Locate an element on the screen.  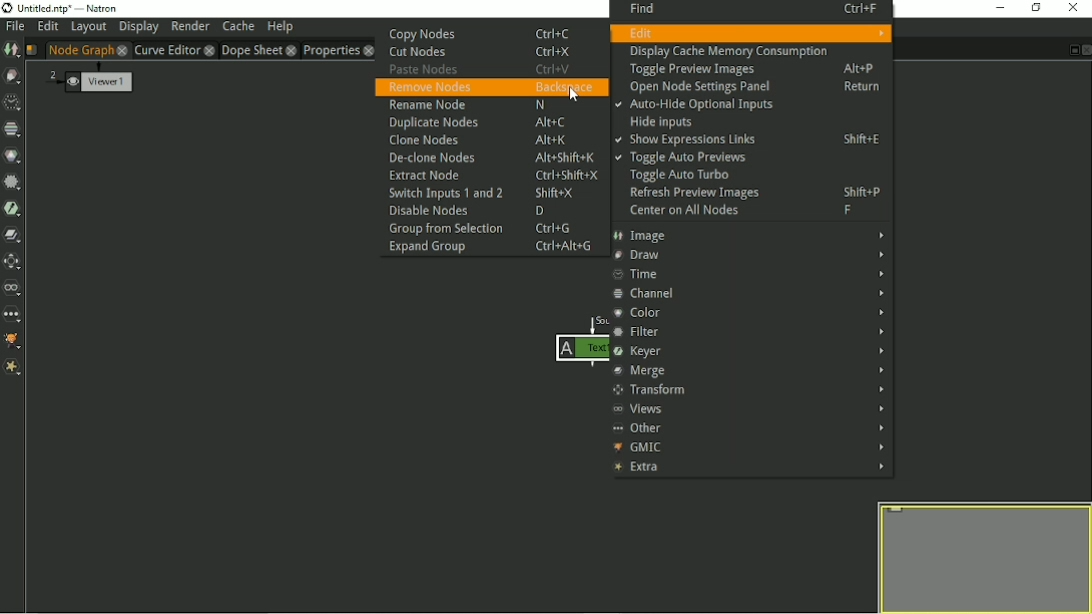
Cache is located at coordinates (238, 26).